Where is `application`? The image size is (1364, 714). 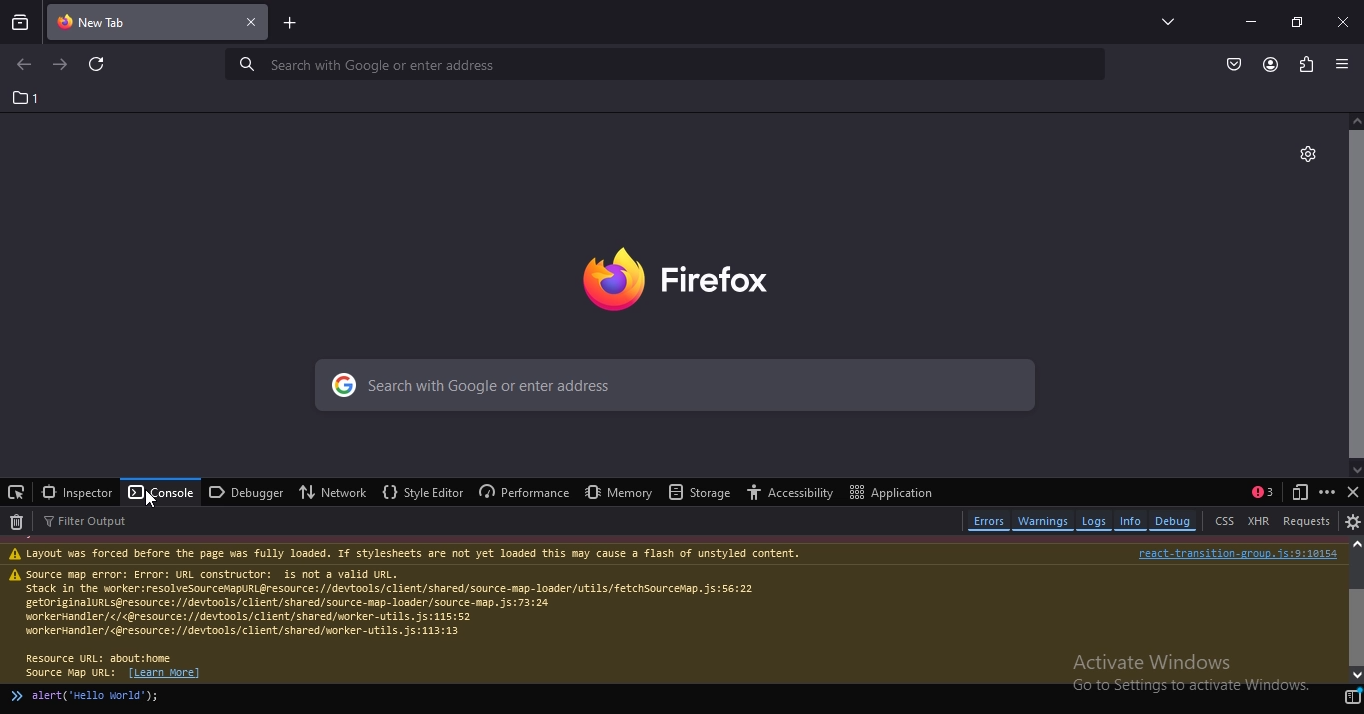 application is located at coordinates (889, 492).